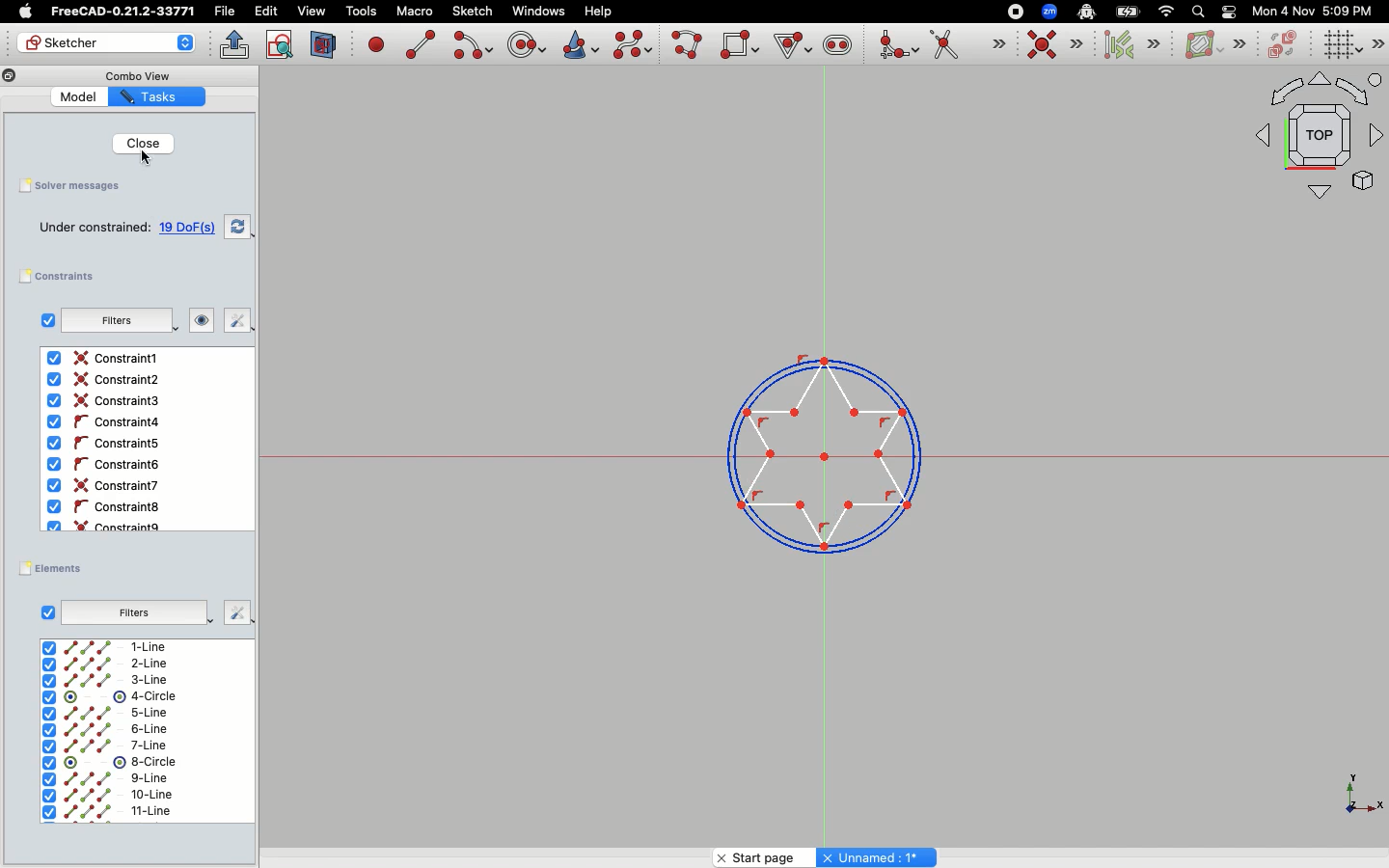 The width and height of the screenshot is (1389, 868). What do you see at coordinates (231, 321) in the screenshot?
I see `Fix` at bounding box center [231, 321].